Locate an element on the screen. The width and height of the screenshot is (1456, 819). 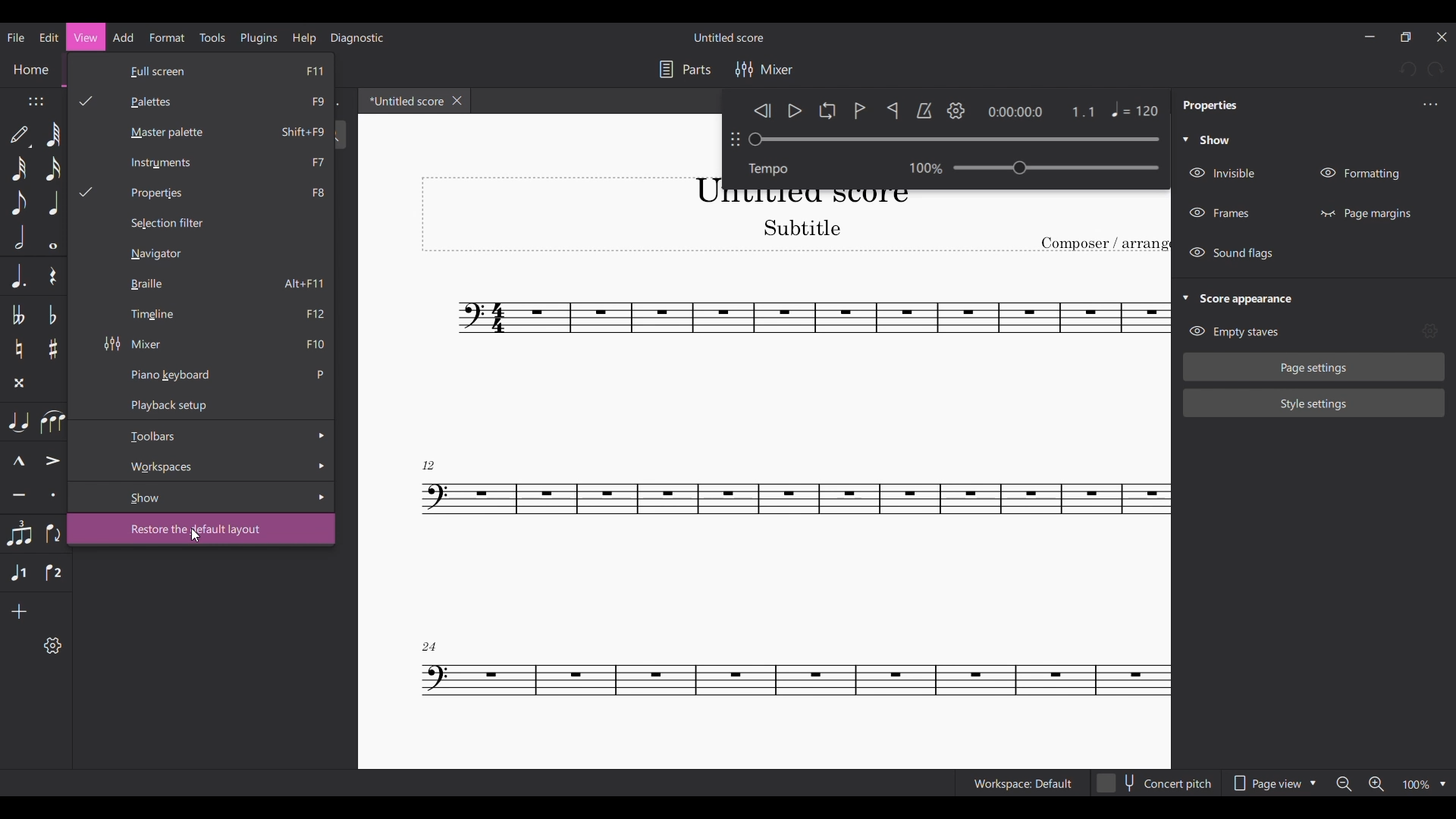
cursor is located at coordinates (198, 537).